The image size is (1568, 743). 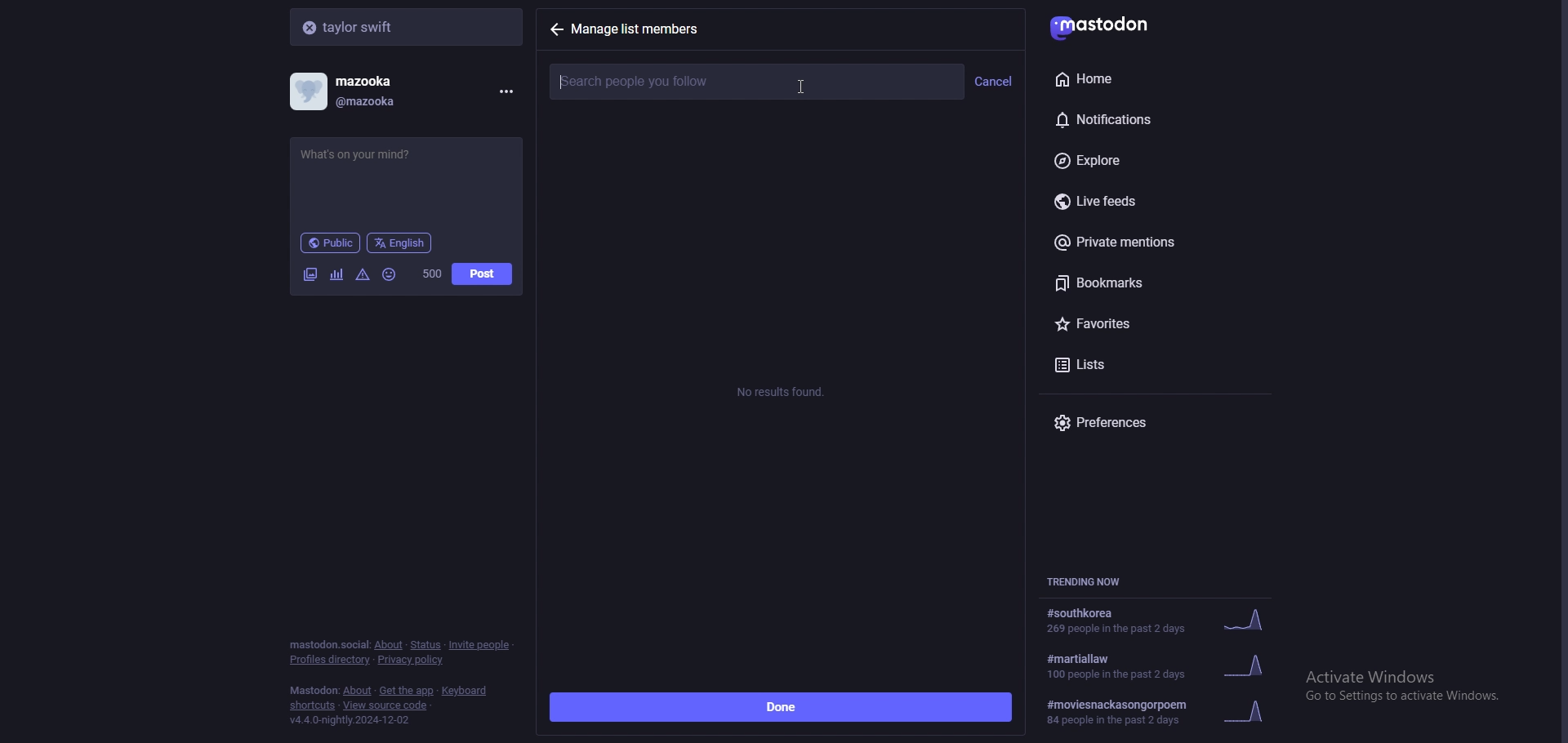 I want to click on live feeds, so click(x=1160, y=202).